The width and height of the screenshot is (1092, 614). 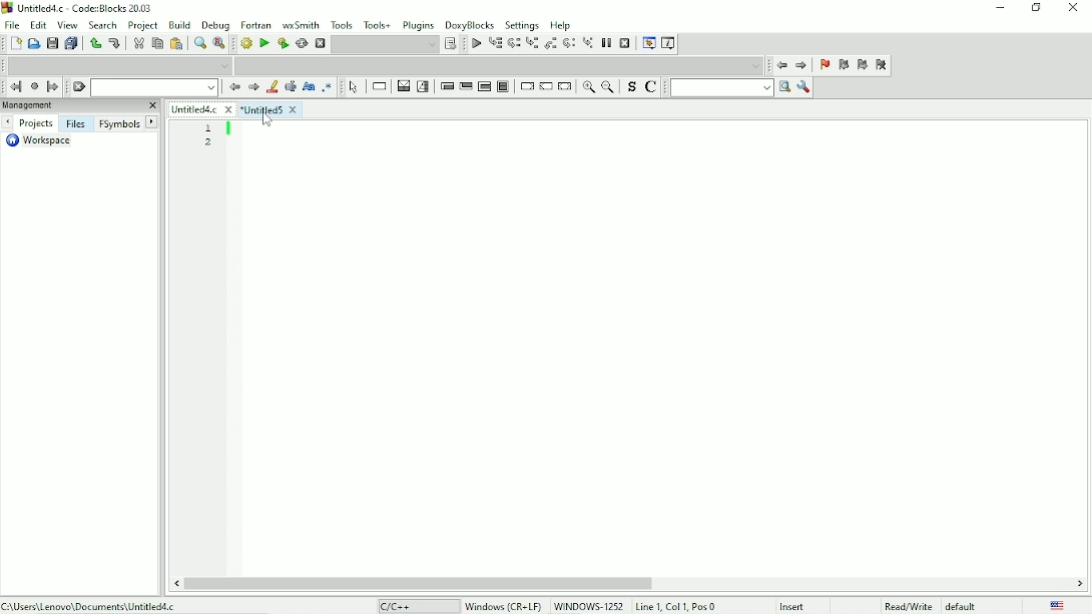 I want to click on Title, so click(x=90, y=8).